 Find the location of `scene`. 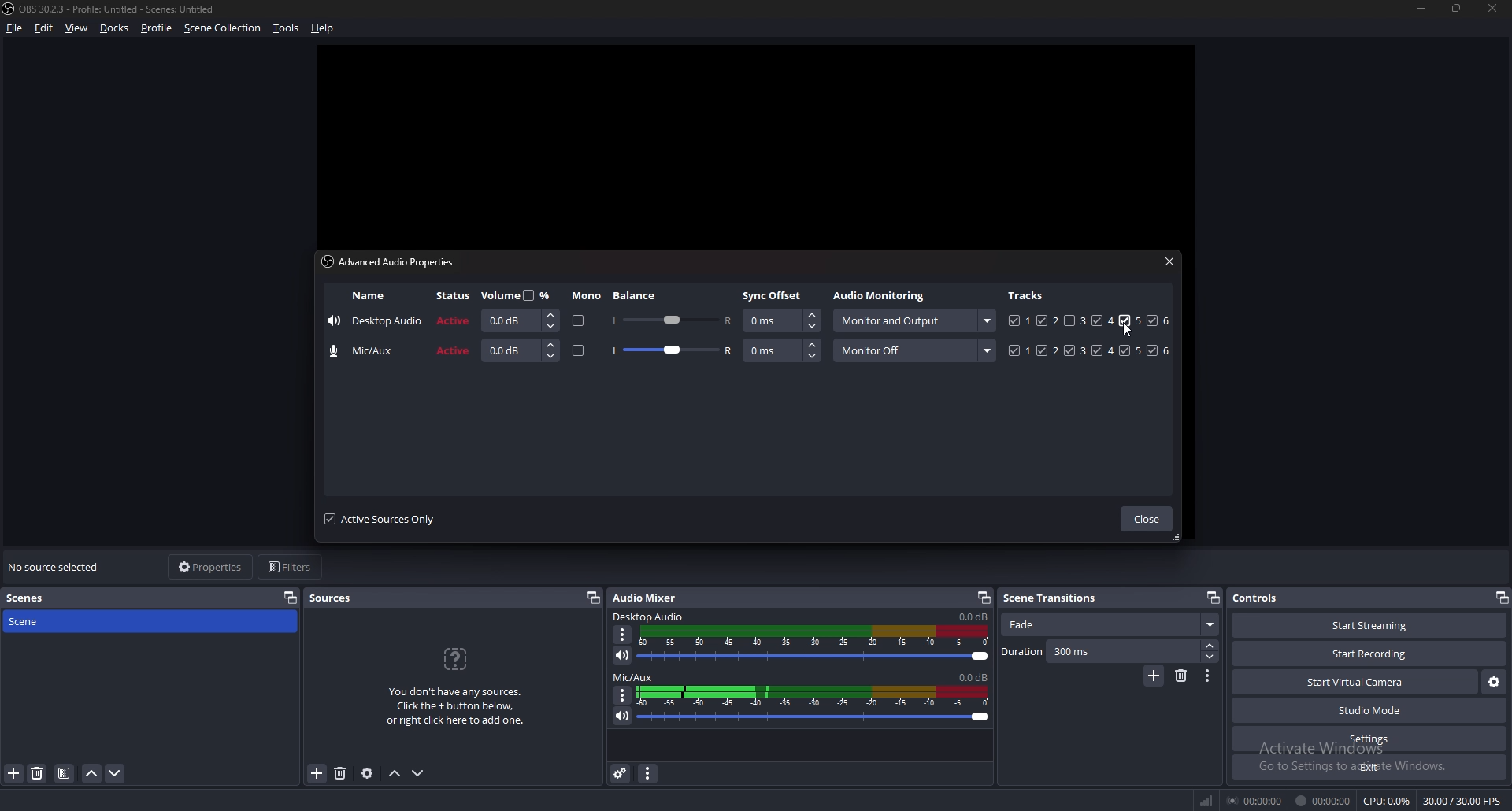

scene is located at coordinates (37, 622).